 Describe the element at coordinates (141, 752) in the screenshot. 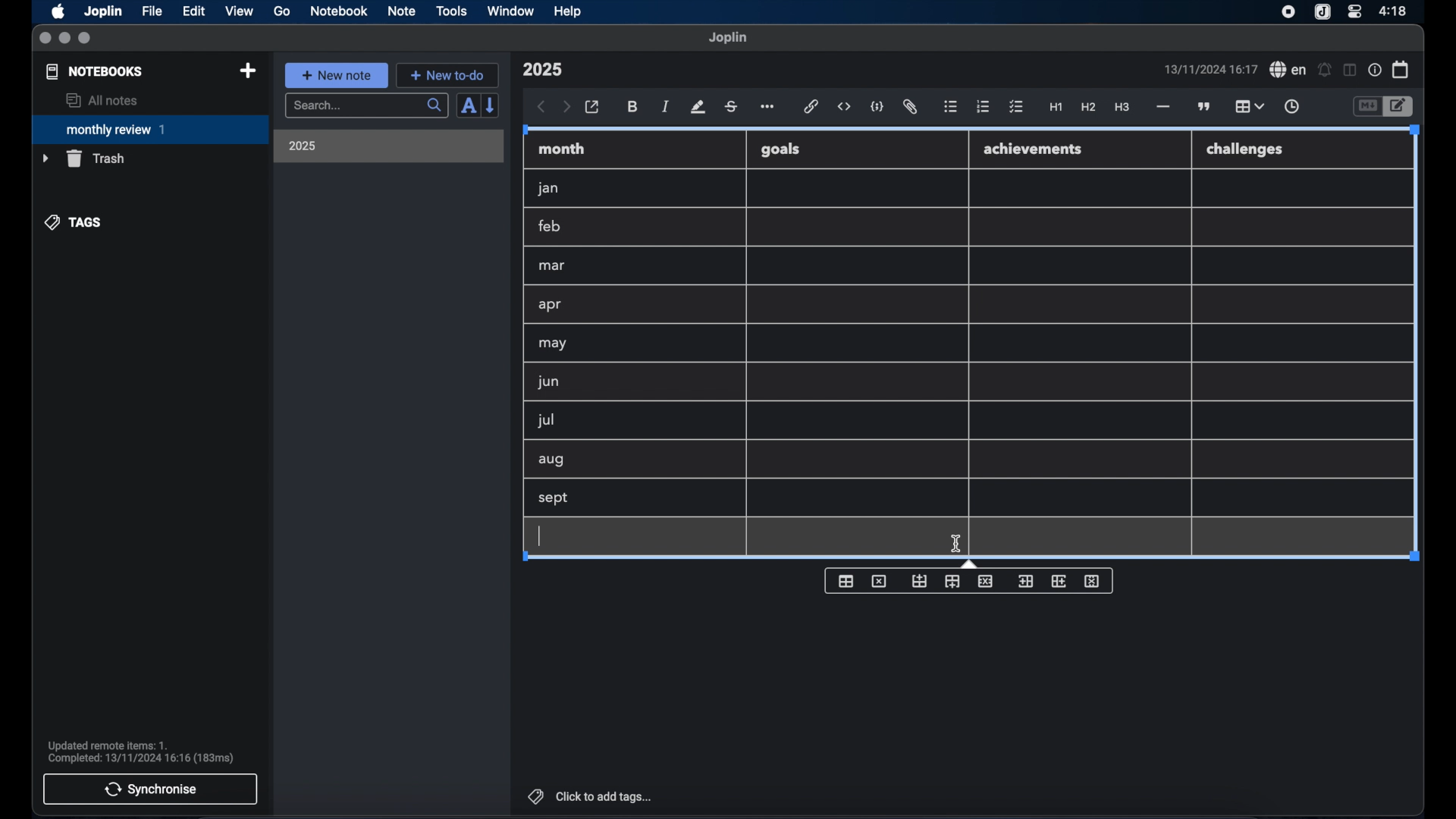

I see `sync notification` at that location.